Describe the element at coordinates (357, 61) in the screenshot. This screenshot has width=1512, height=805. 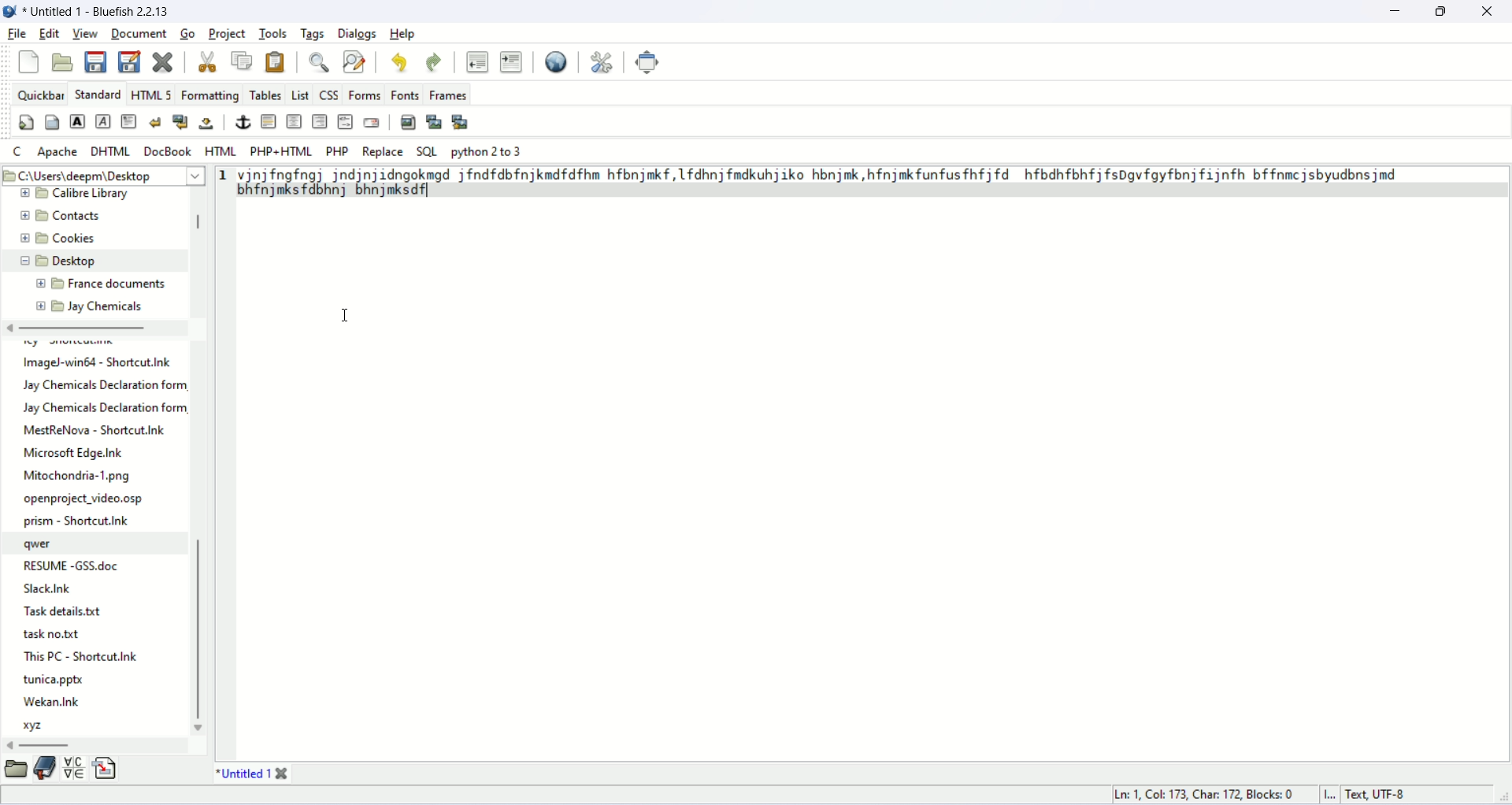
I see `advanced find and replace` at that location.